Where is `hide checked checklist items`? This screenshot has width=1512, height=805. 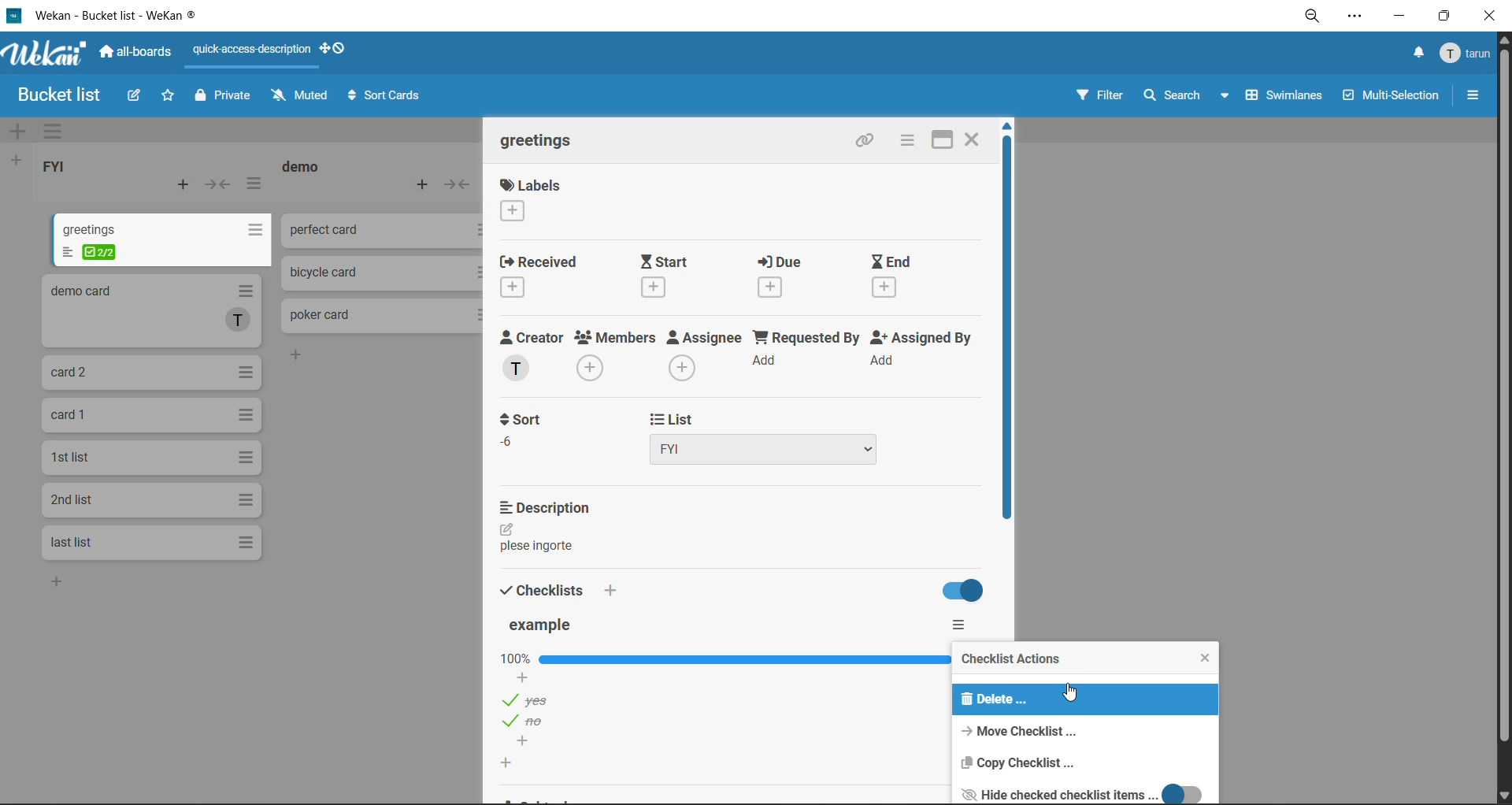 hide checked checklist items is located at coordinates (1077, 792).